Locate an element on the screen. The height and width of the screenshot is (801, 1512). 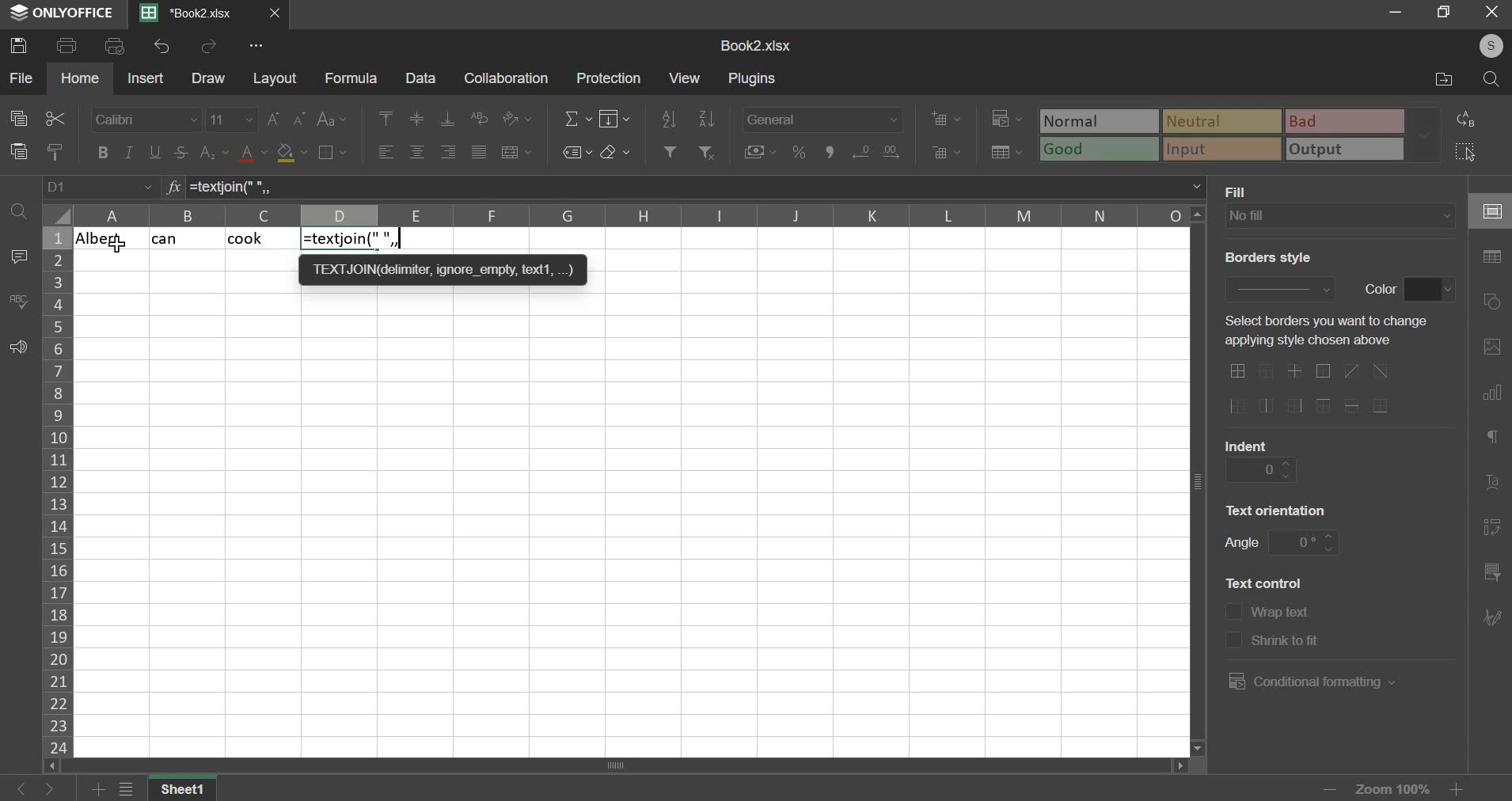
redo is located at coordinates (211, 47).